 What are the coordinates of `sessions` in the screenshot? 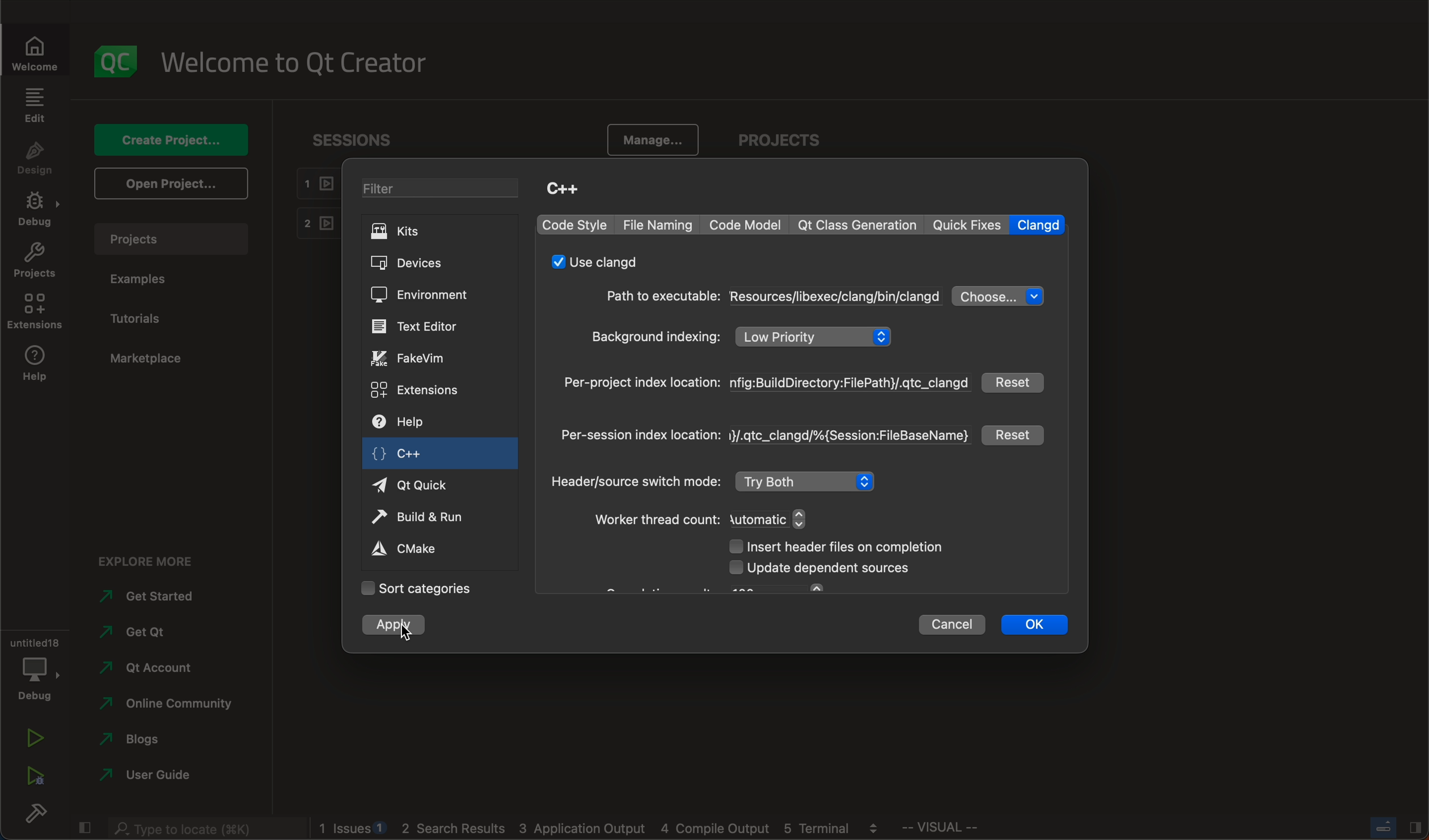 It's located at (349, 139).